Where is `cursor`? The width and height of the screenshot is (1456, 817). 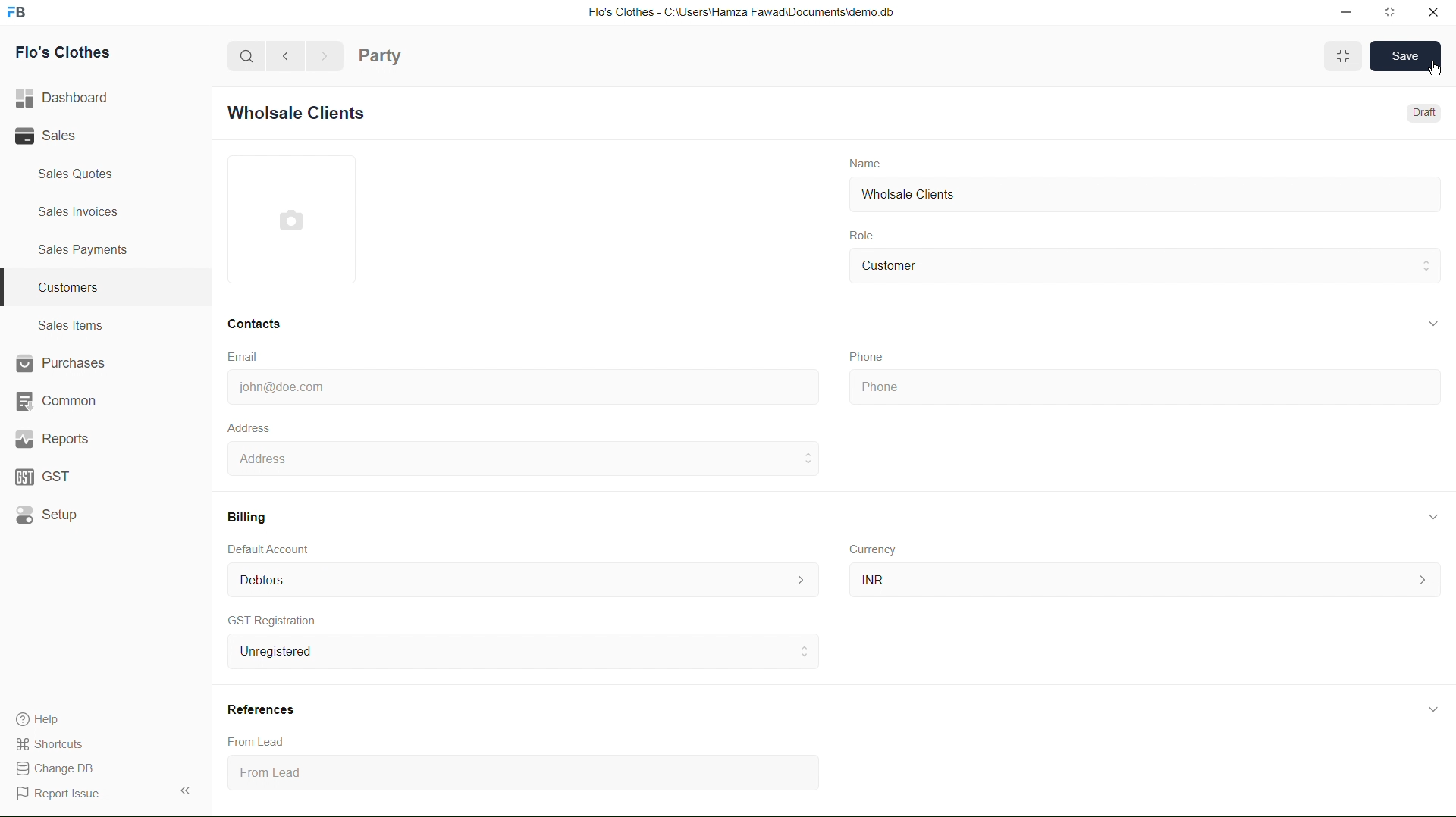 cursor is located at coordinates (1430, 70).